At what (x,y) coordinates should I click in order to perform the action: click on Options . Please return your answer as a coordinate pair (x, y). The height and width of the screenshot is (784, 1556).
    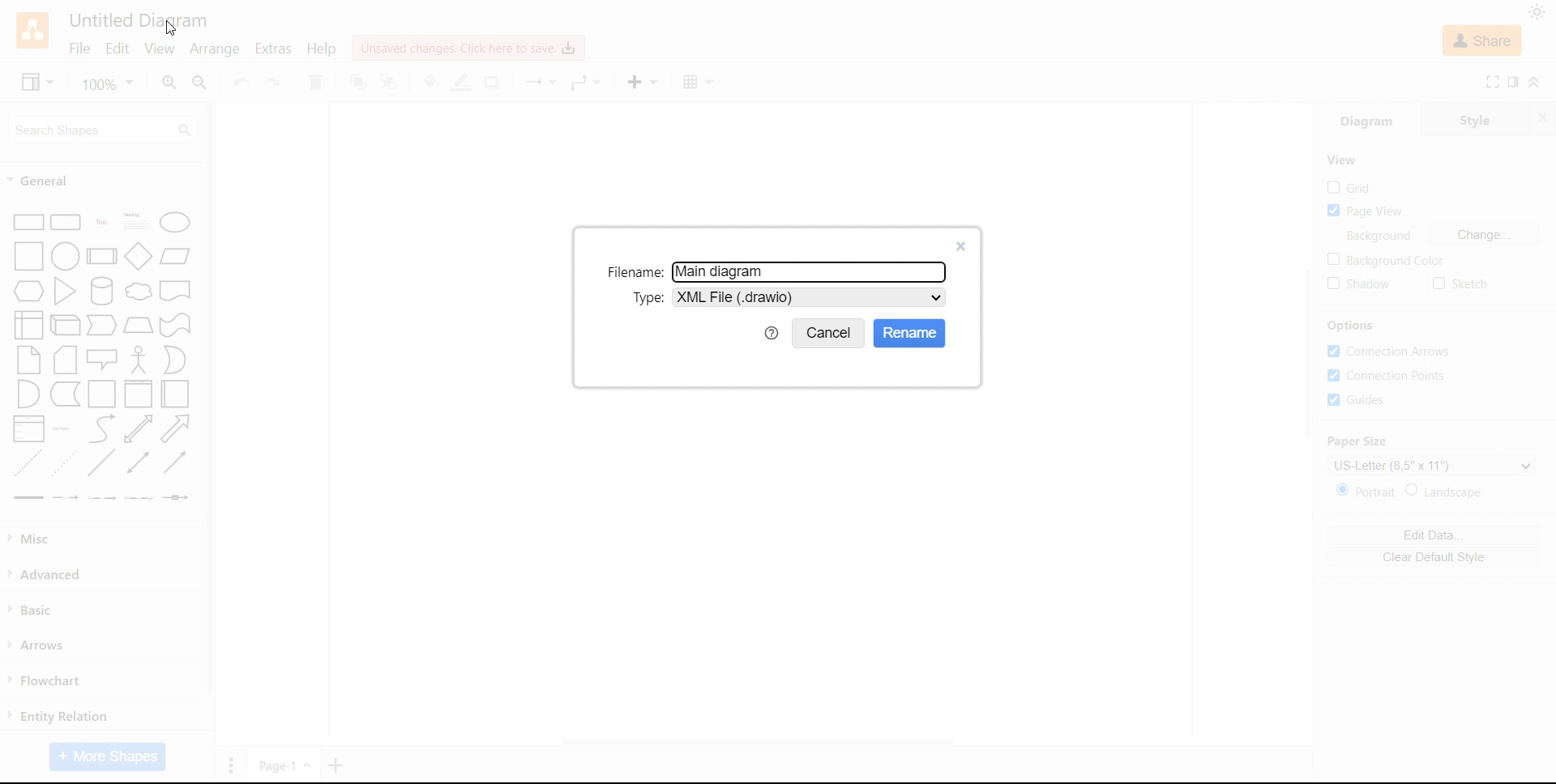
    Looking at the image, I should click on (1352, 326).